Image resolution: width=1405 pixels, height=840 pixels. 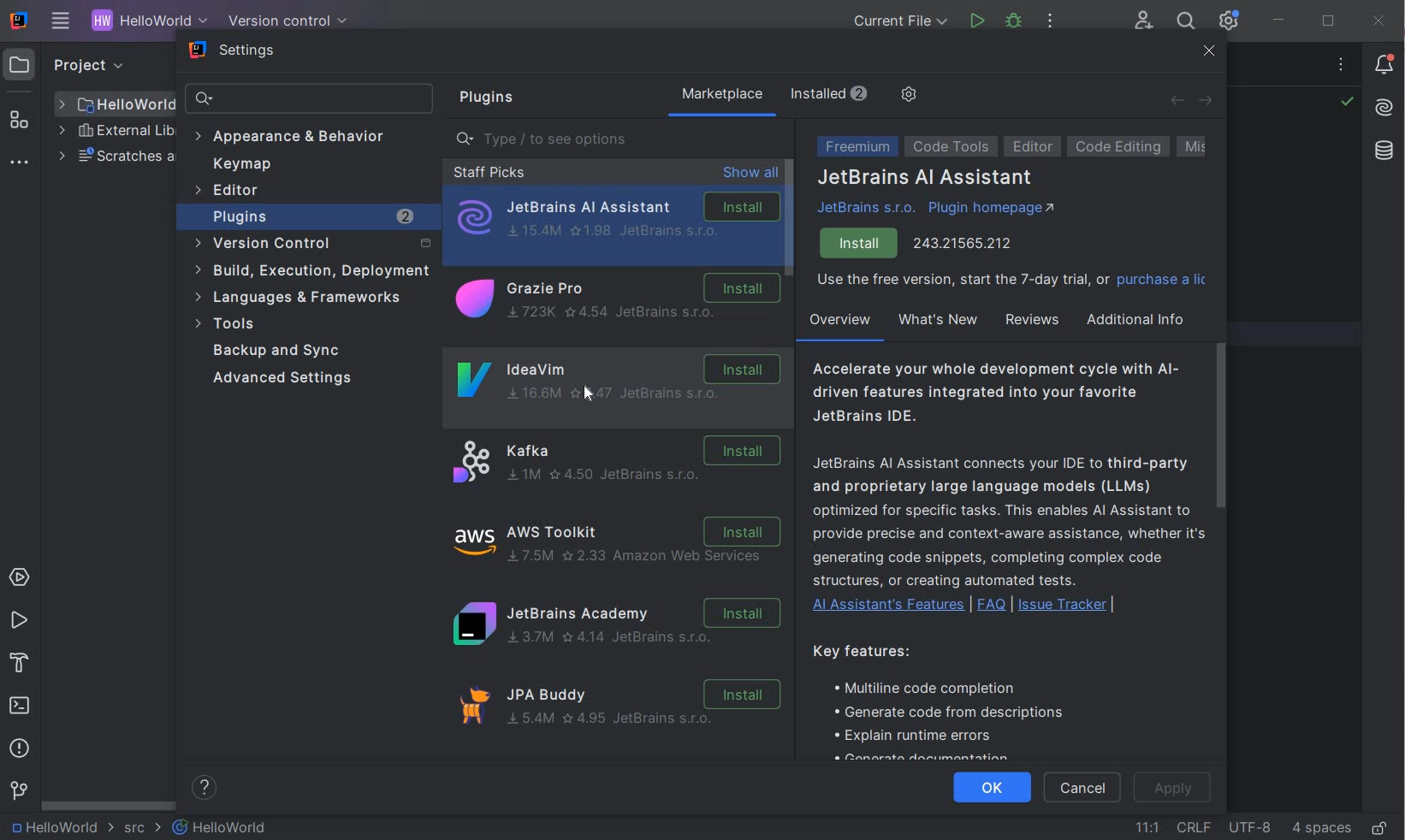 I want to click on scrollbar, so click(x=1219, y=423).